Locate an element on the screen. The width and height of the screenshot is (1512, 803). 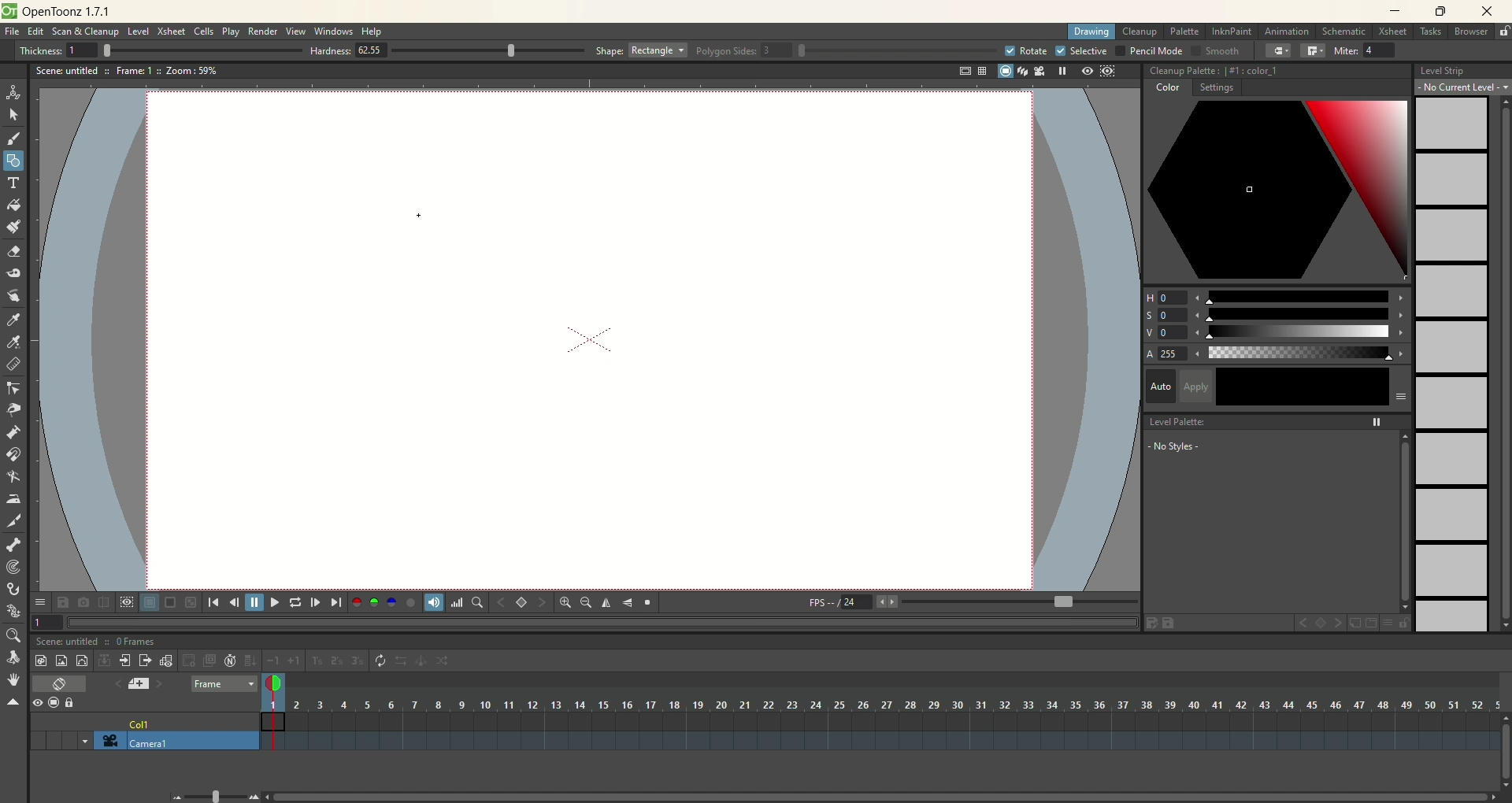
schematic is located at coordinates (1345, 31).